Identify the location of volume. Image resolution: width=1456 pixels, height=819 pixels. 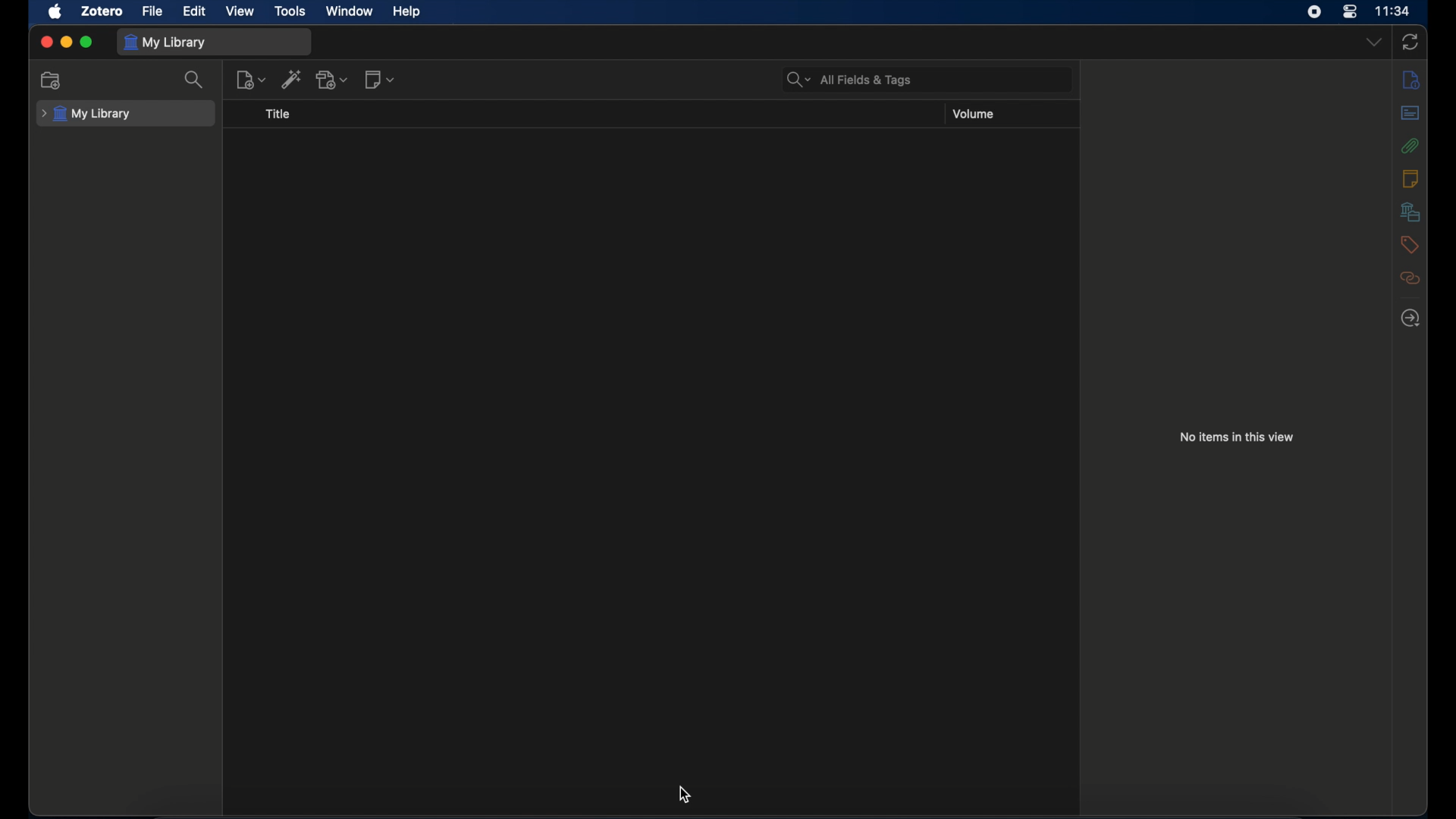
(974, 114).